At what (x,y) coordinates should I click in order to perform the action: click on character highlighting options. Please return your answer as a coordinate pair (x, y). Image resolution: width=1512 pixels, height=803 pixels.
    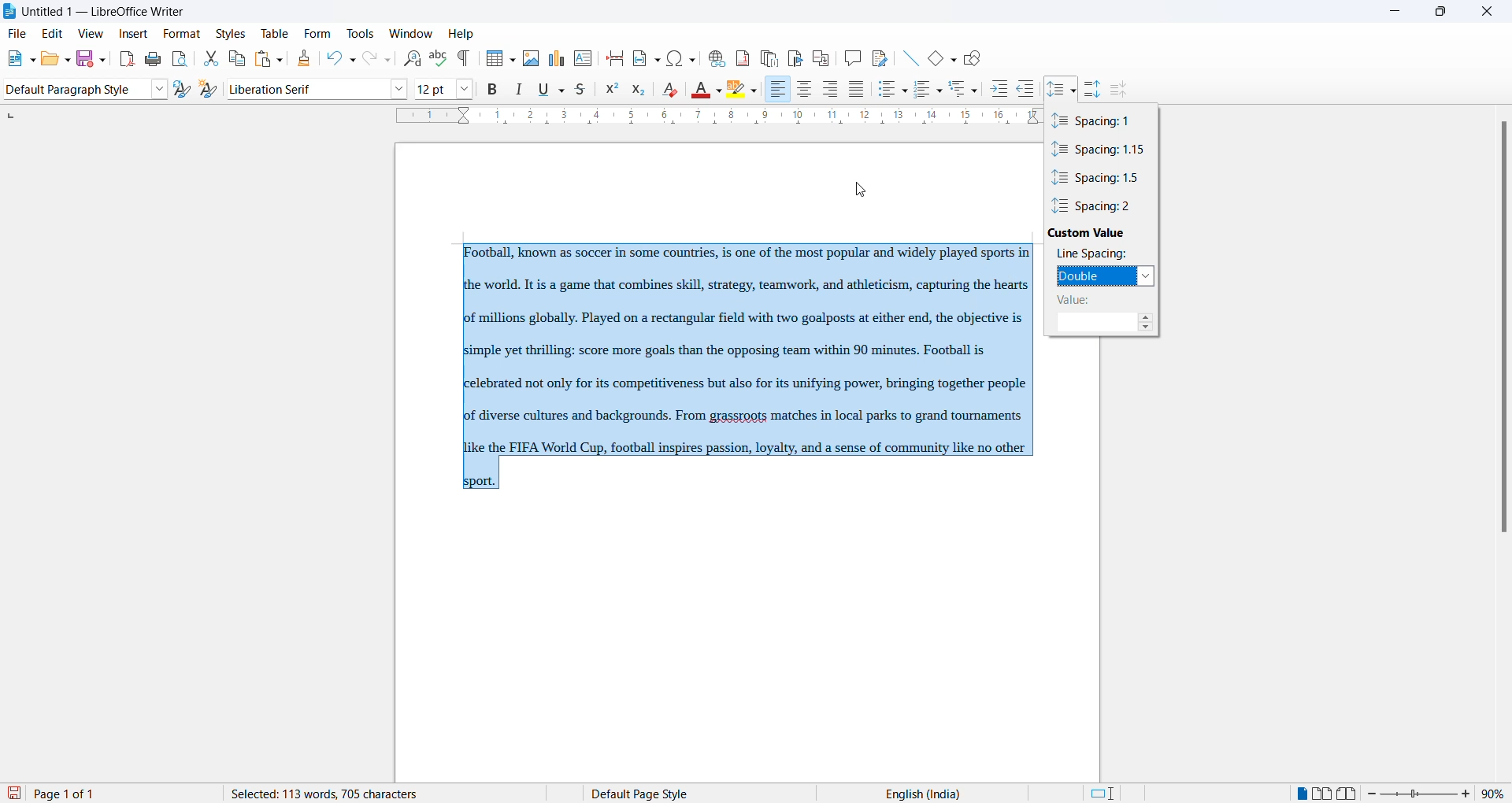
    Looking at the image, I should click on (755, 91).